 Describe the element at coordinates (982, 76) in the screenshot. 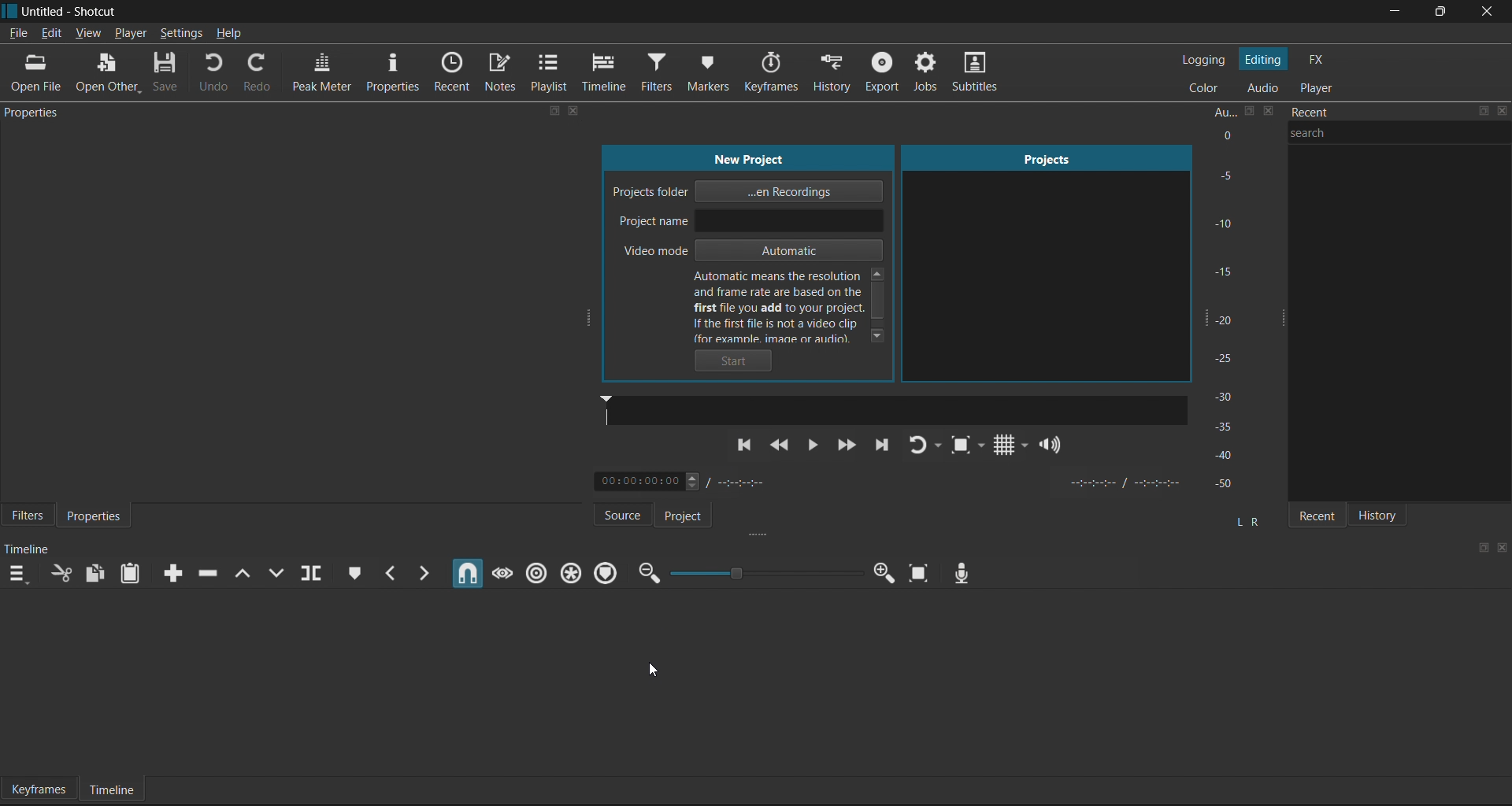

I see `Subtitles` at that location.